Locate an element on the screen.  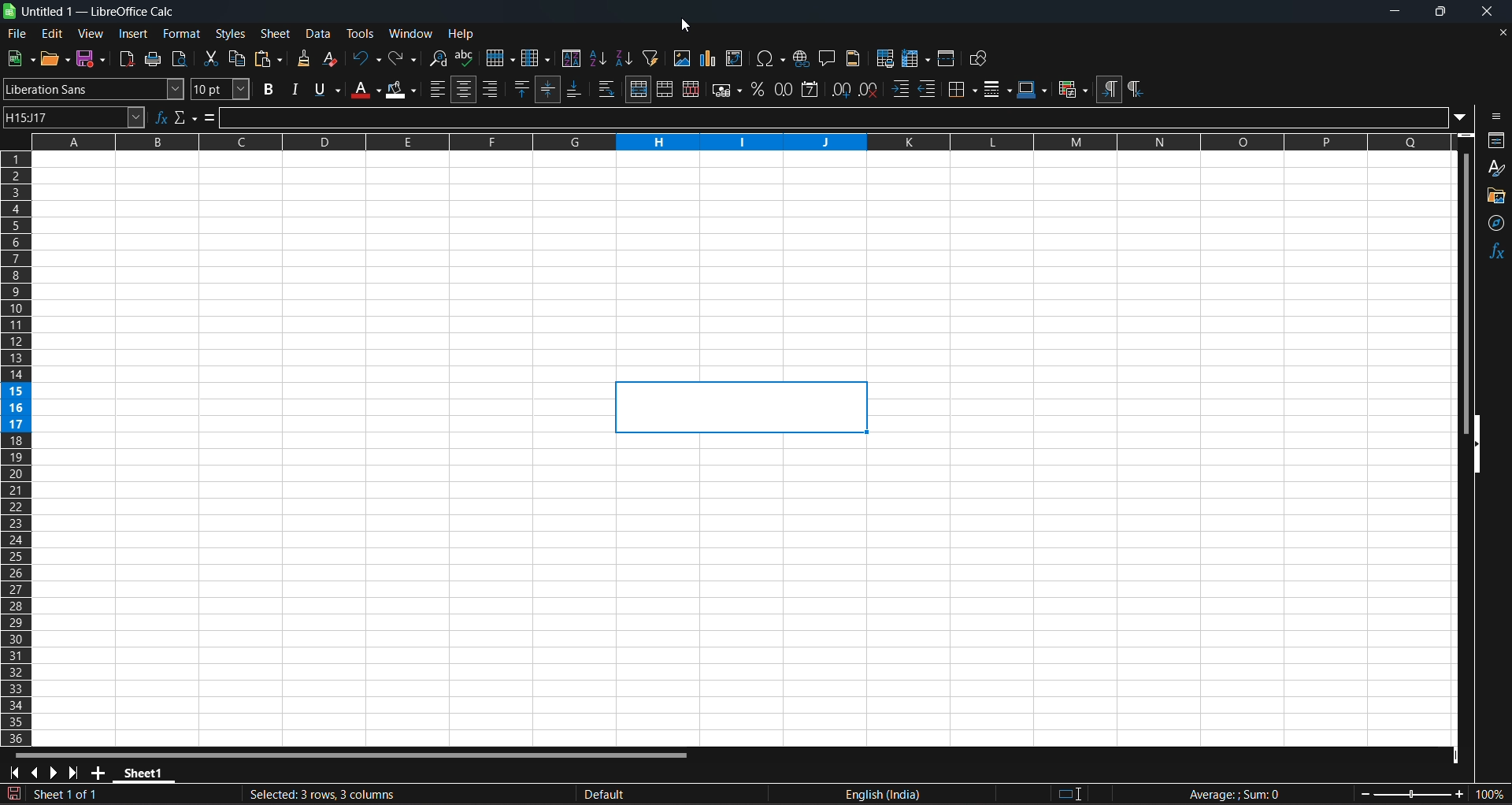
clear direct formating is located at coordinates (332, 59).